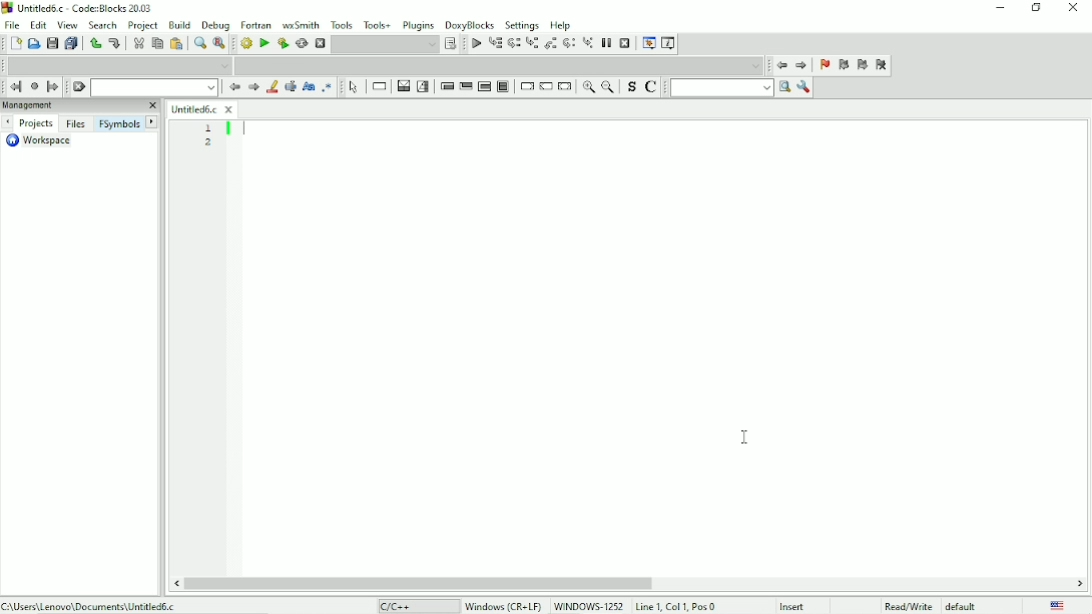 Image resolution: width=1092 pixels, height=614 pixels. What do you see at coordinates (670, 43) in the screenshot?
I see `Various info` at bounding box center [670, 43].